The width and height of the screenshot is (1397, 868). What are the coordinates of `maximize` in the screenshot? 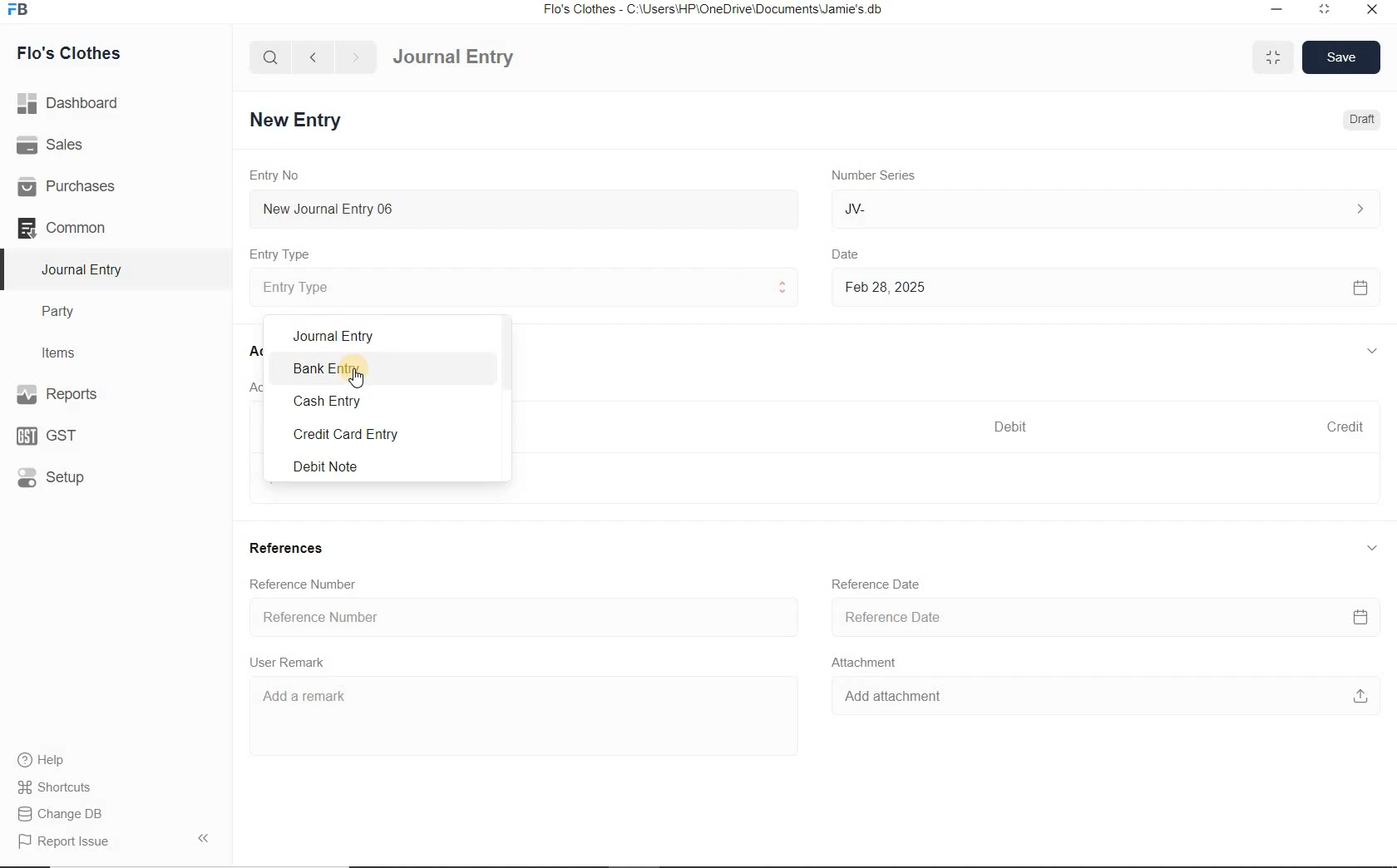 It's located at (1325, 8).